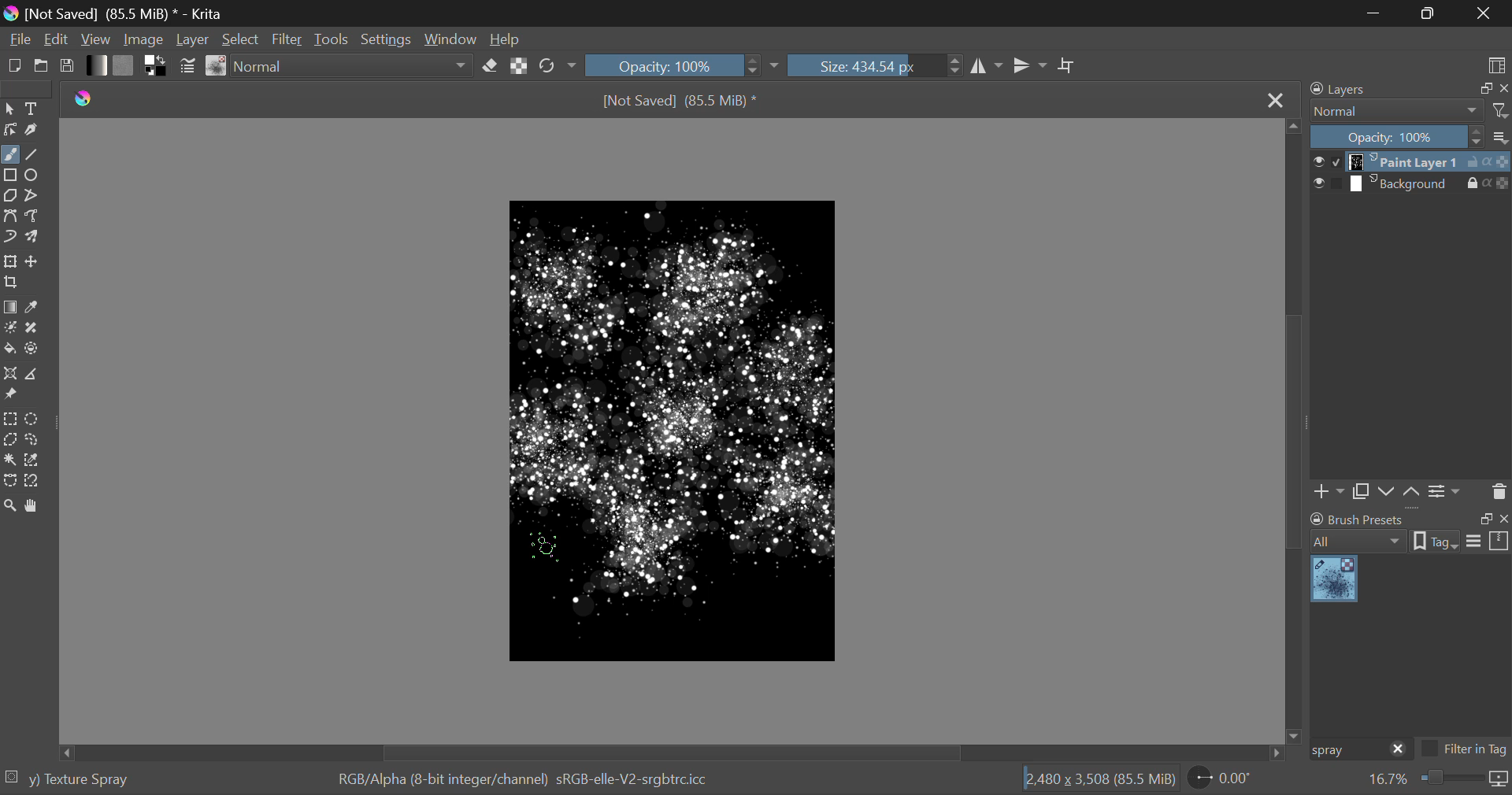  What do you see at coordinates (65, 65) in the screenshot?
I see `Save` at bounding box center [65, 65].